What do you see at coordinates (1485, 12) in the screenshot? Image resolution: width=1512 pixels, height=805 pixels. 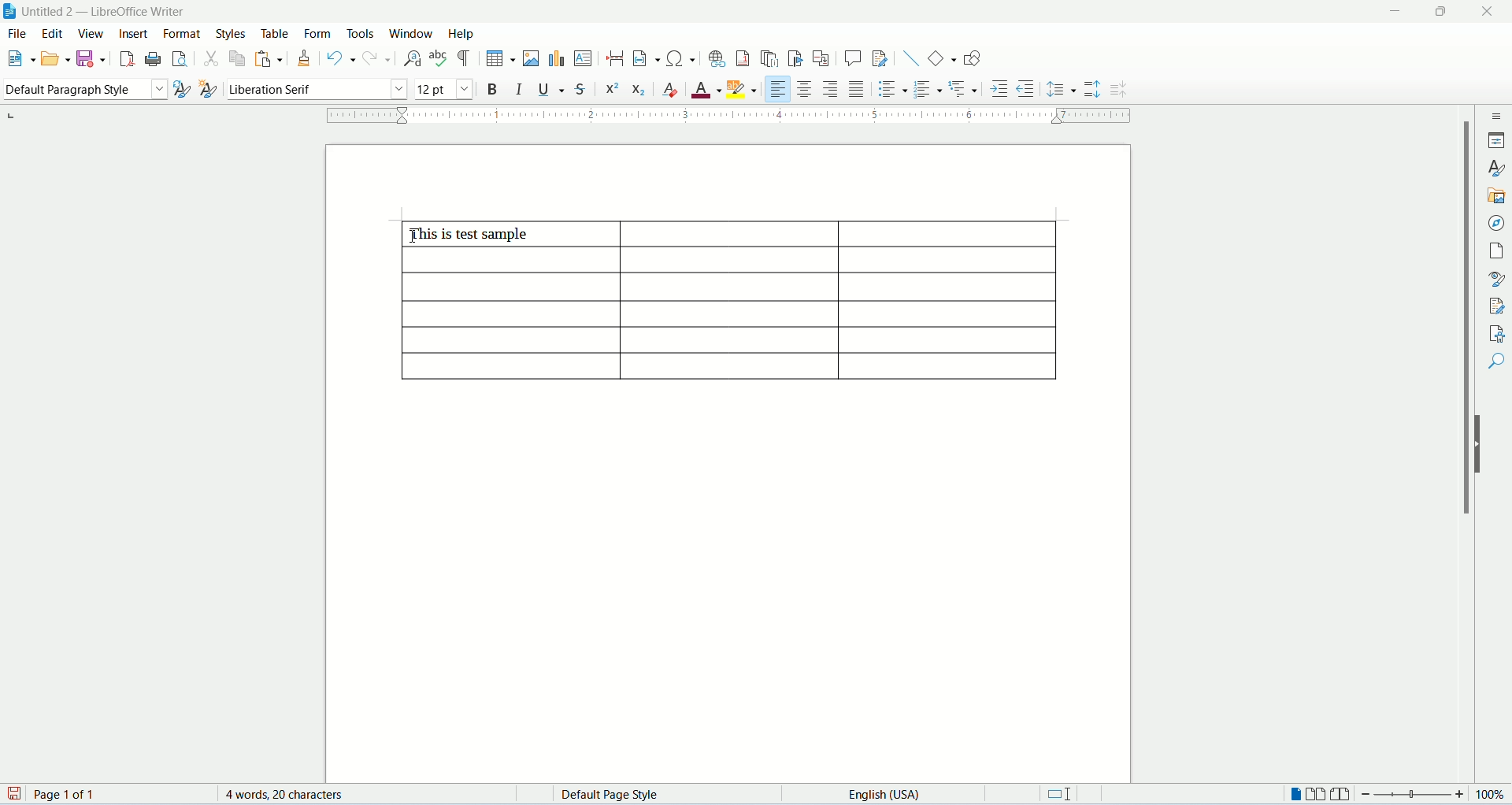 I see `close` at bounding box center [1485, 12].